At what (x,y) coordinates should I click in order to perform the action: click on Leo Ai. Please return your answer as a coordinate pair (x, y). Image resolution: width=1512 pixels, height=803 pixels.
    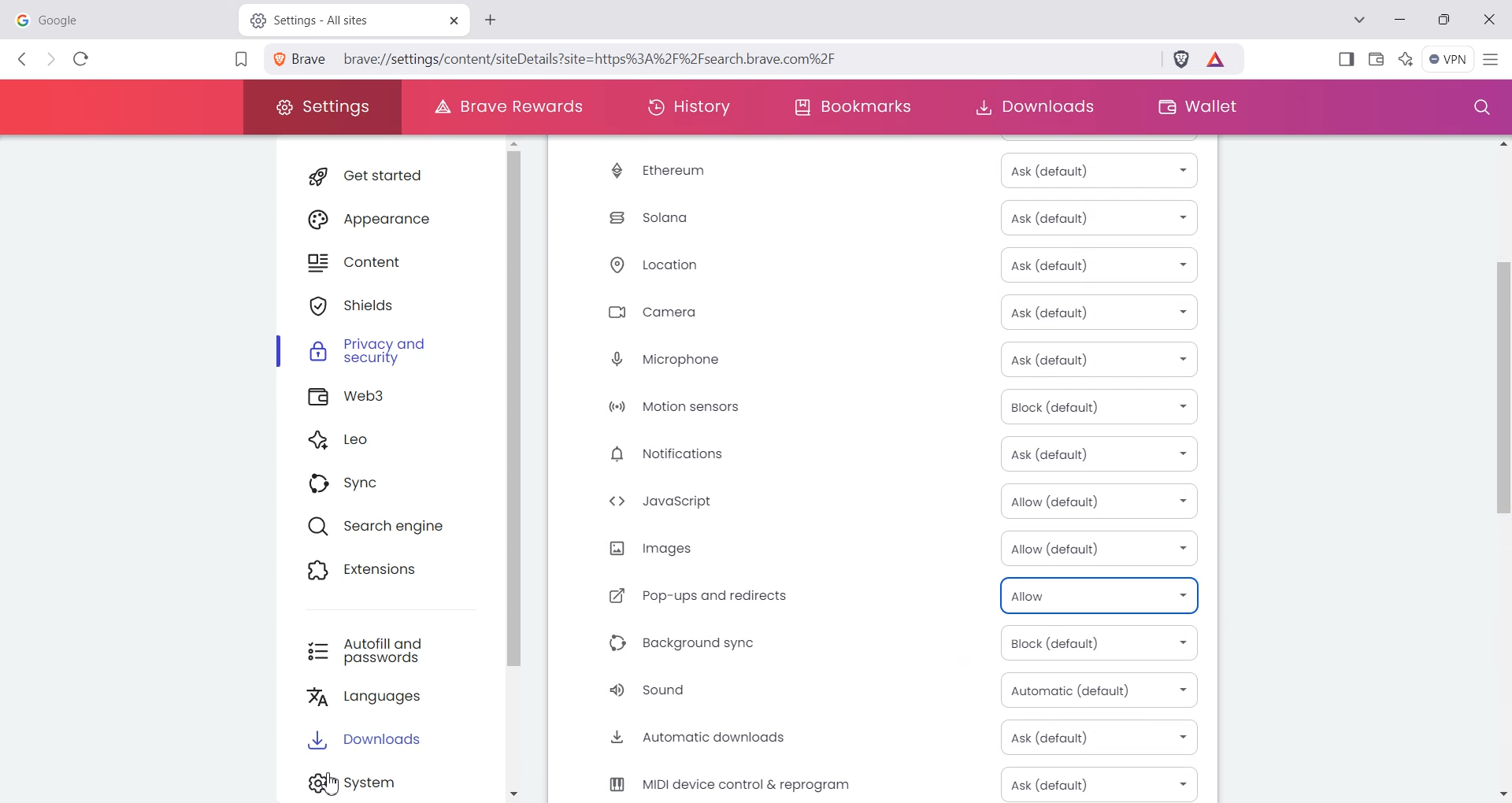
    Looking at the image, I should click on (1406, 57).